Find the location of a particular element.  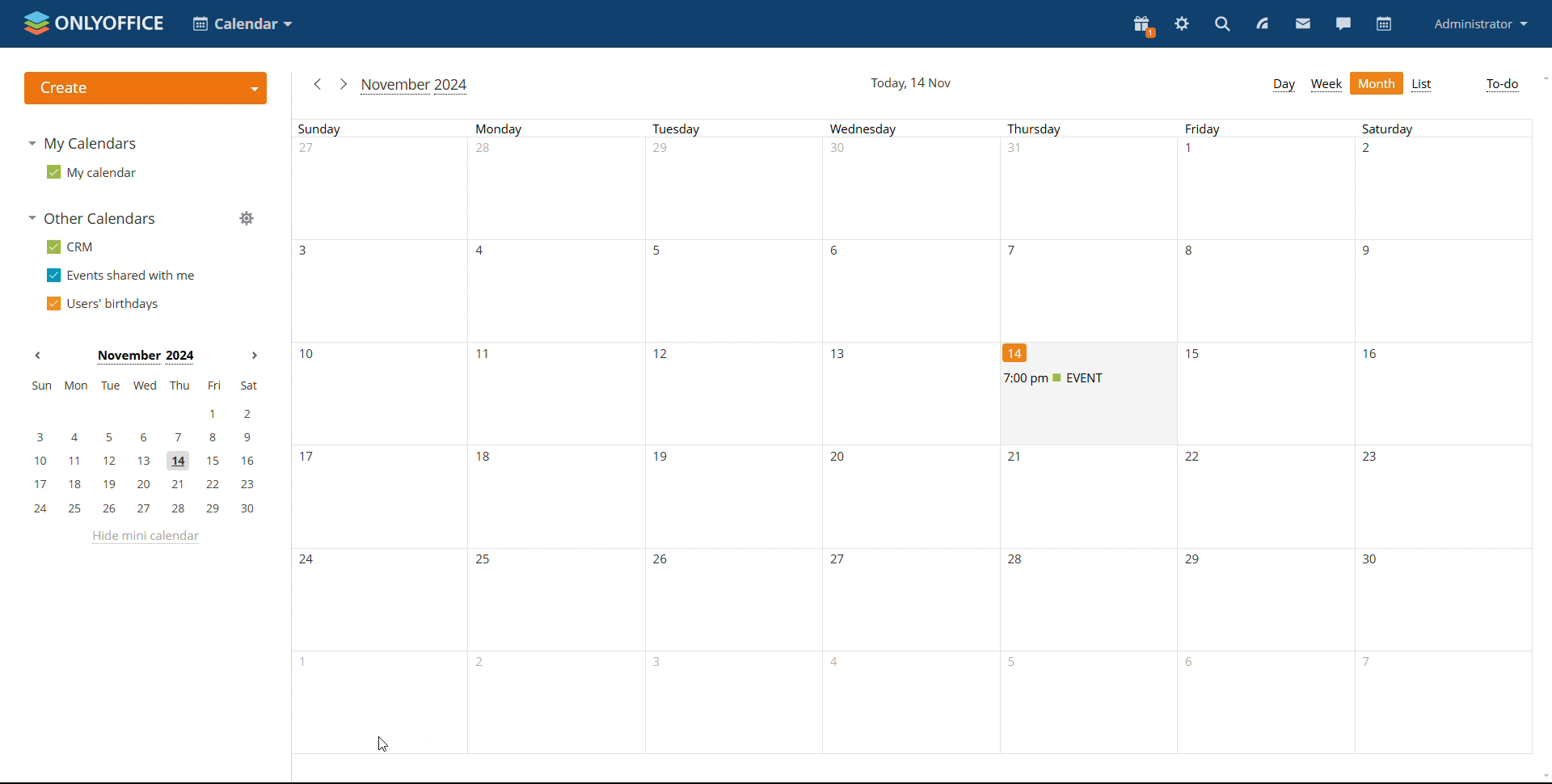

days of a month is located at coordinates (1362, 391).